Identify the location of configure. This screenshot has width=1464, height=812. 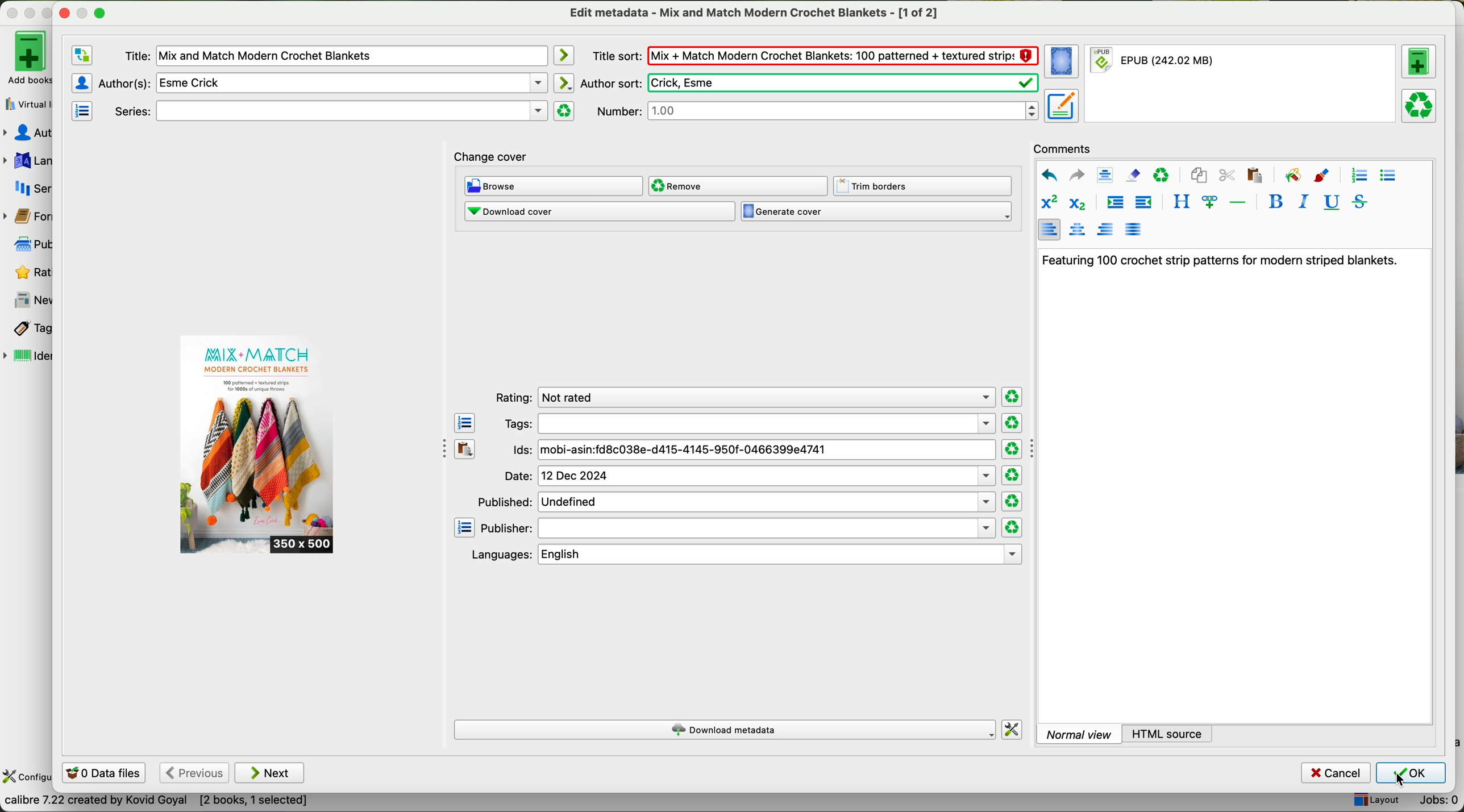
(27, 777).